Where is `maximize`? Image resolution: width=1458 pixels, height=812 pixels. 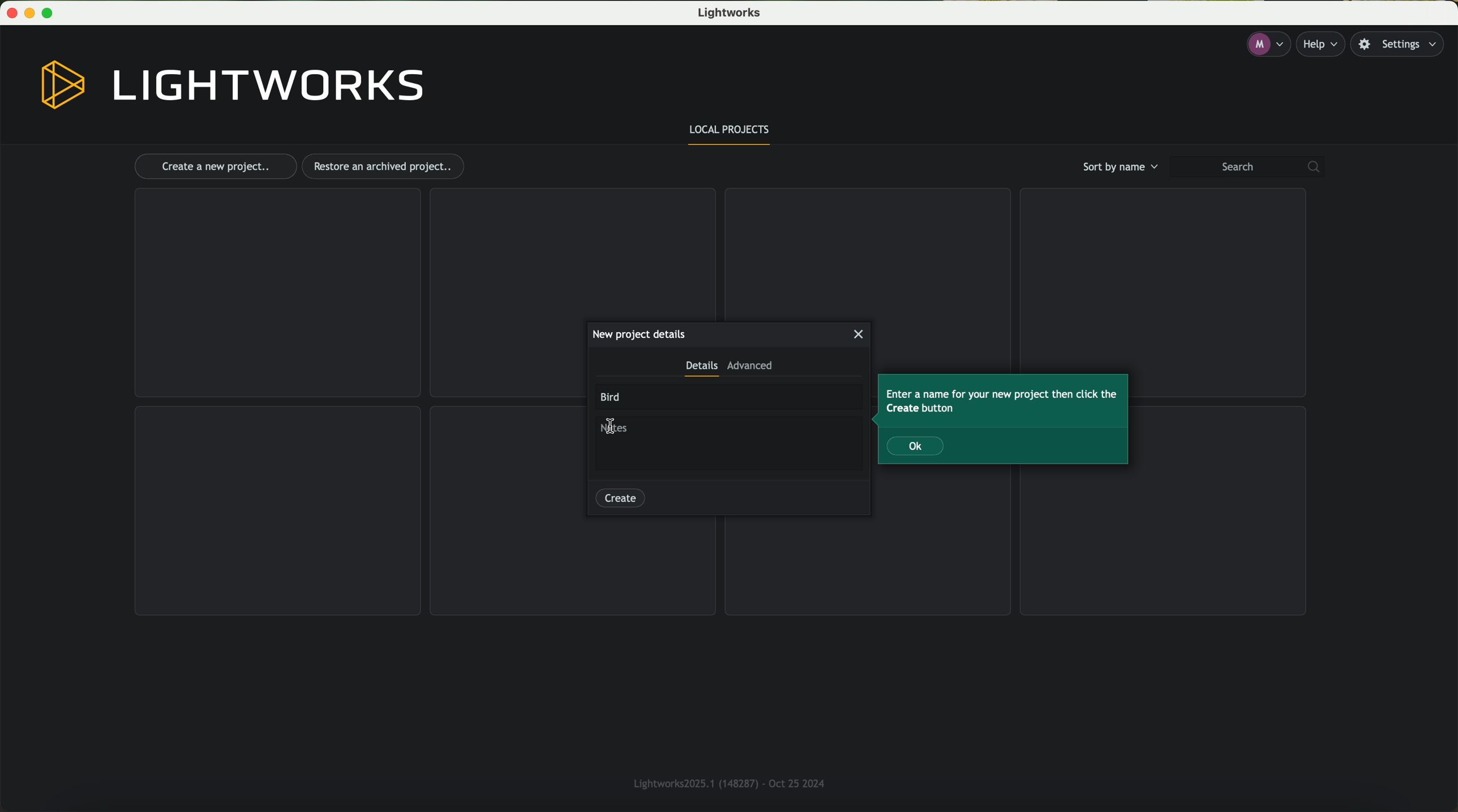 maximize is located at coordinates (52, 13).